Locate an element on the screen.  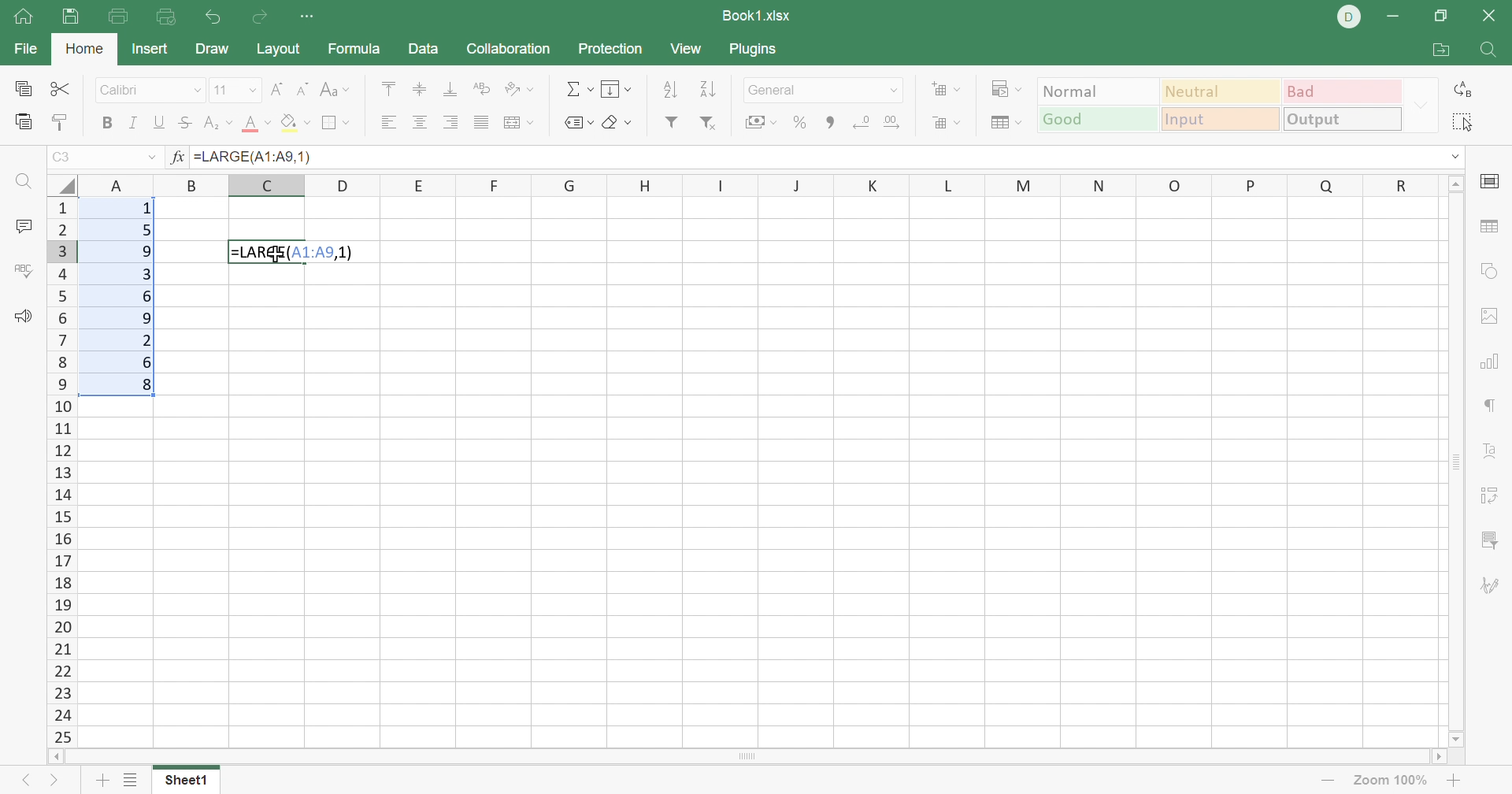
Wrap Text is located at coordinates (480, 87).